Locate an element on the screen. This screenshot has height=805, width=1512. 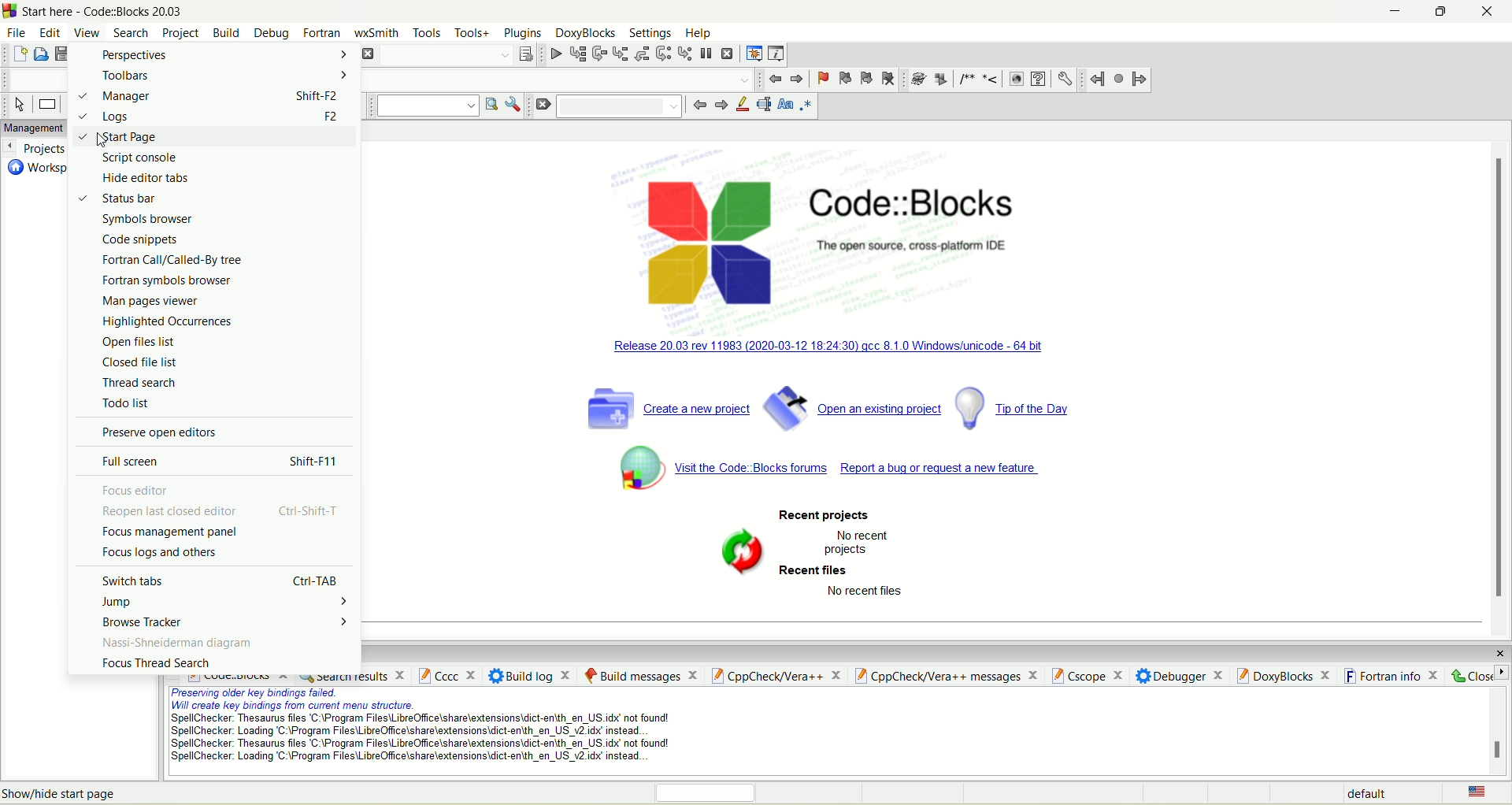
wxSmith is located at coordinates (378, 32).